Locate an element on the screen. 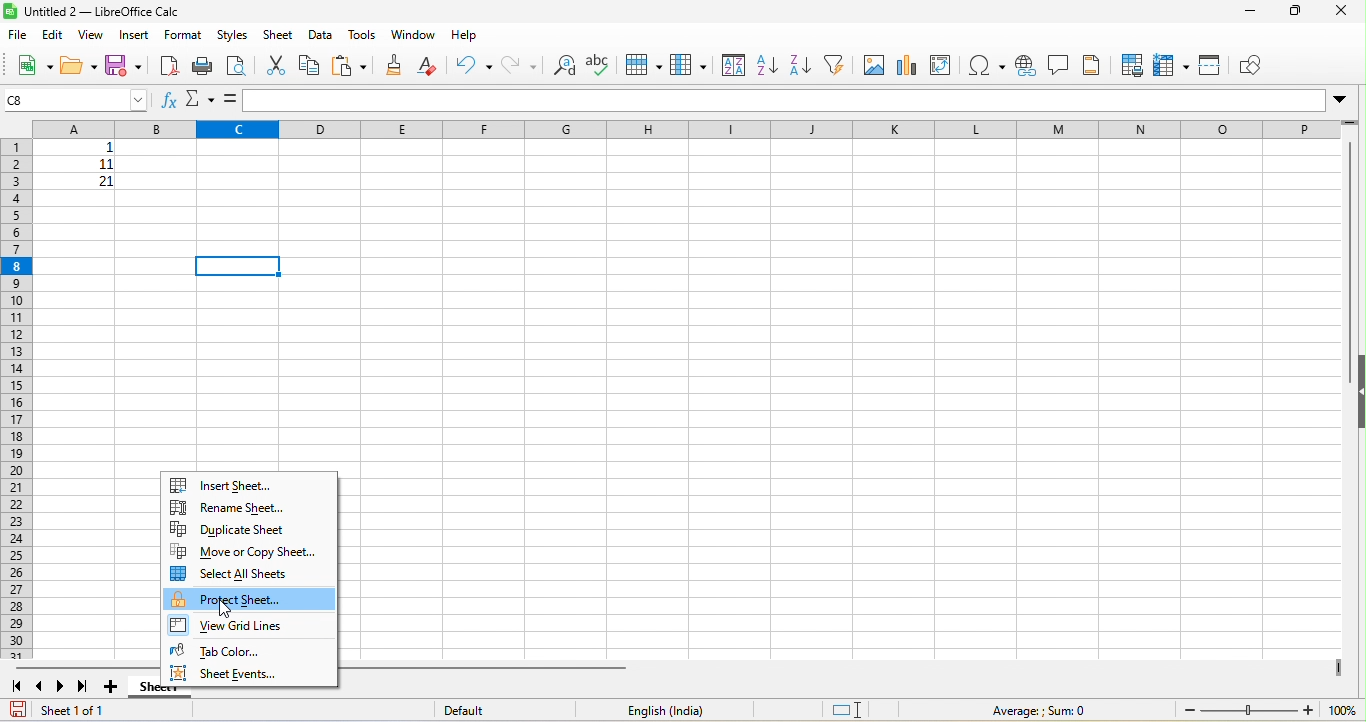 The width and height of the screenshot is (1366, 722). next is located at coordinates (62, 686).